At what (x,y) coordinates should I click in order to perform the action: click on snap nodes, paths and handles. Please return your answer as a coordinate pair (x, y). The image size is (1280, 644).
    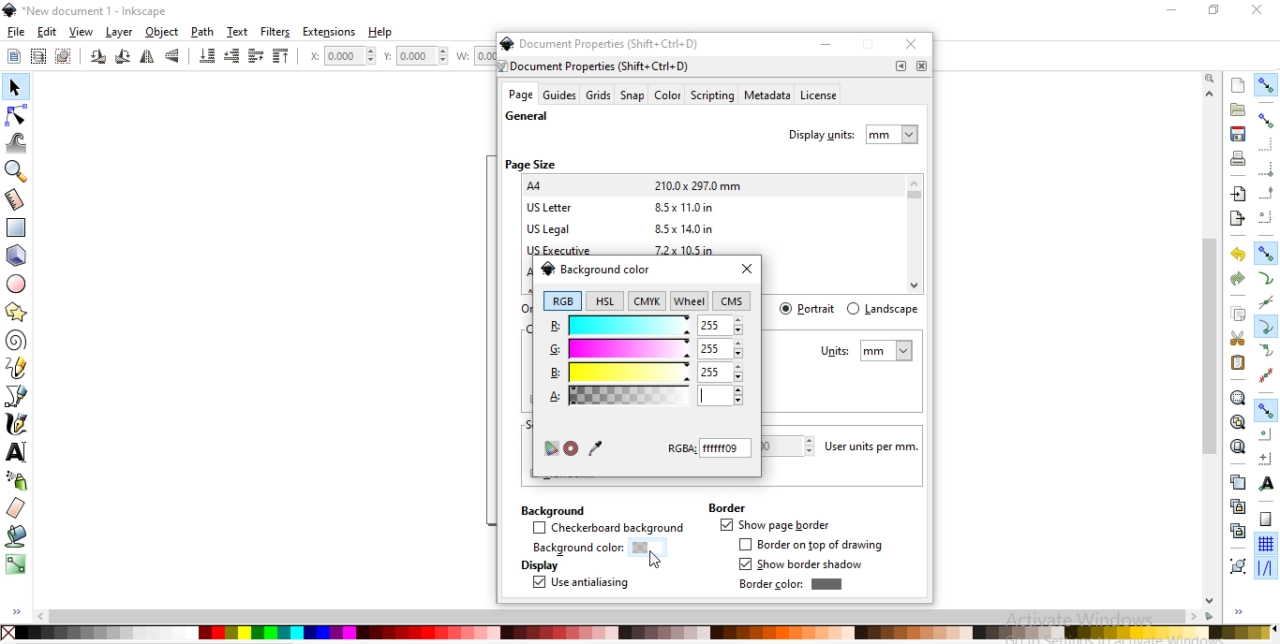
    Looking at the image, I should click on (1266, 253).